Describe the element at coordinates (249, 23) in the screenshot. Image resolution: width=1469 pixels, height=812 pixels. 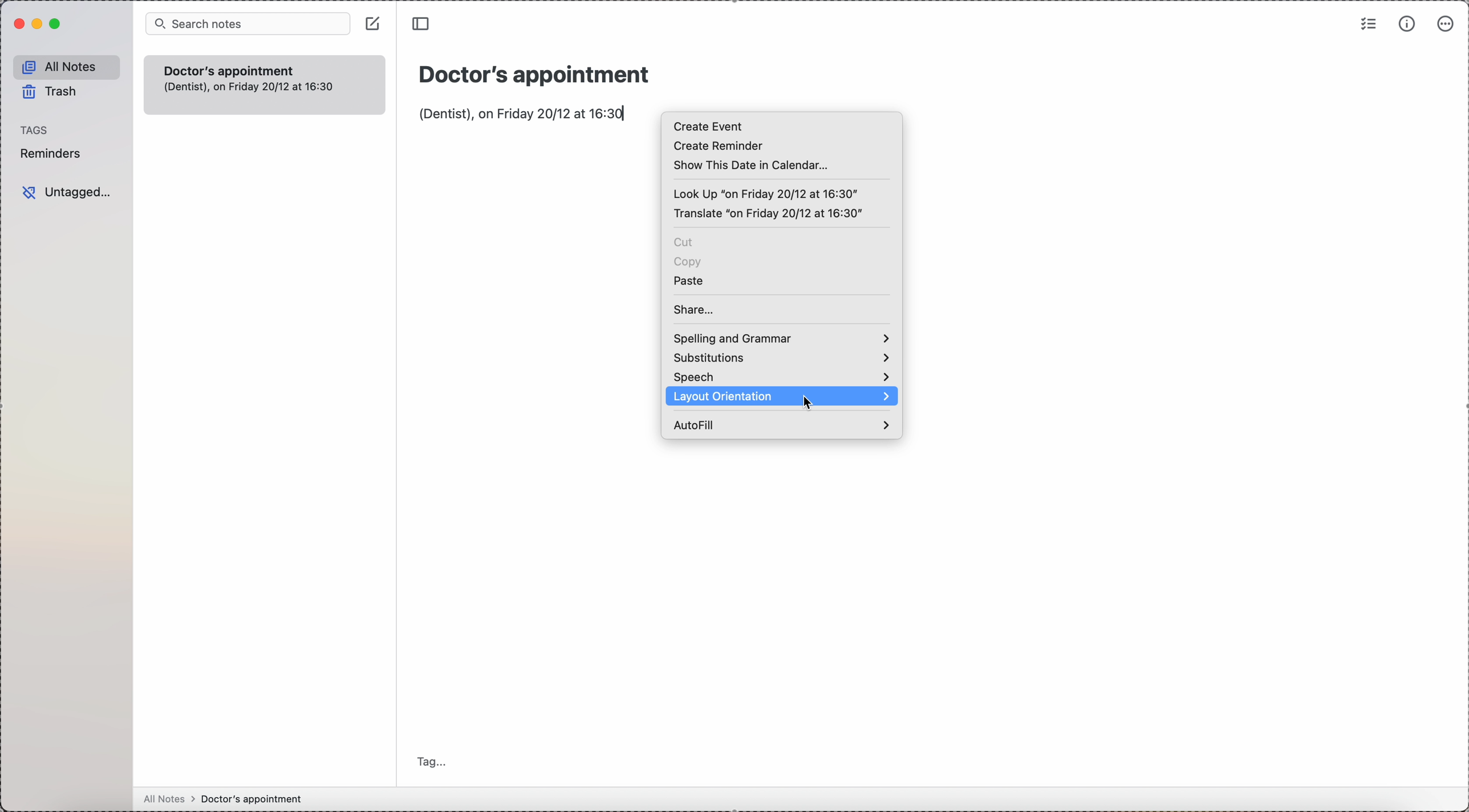
I see `search notes` at that location.